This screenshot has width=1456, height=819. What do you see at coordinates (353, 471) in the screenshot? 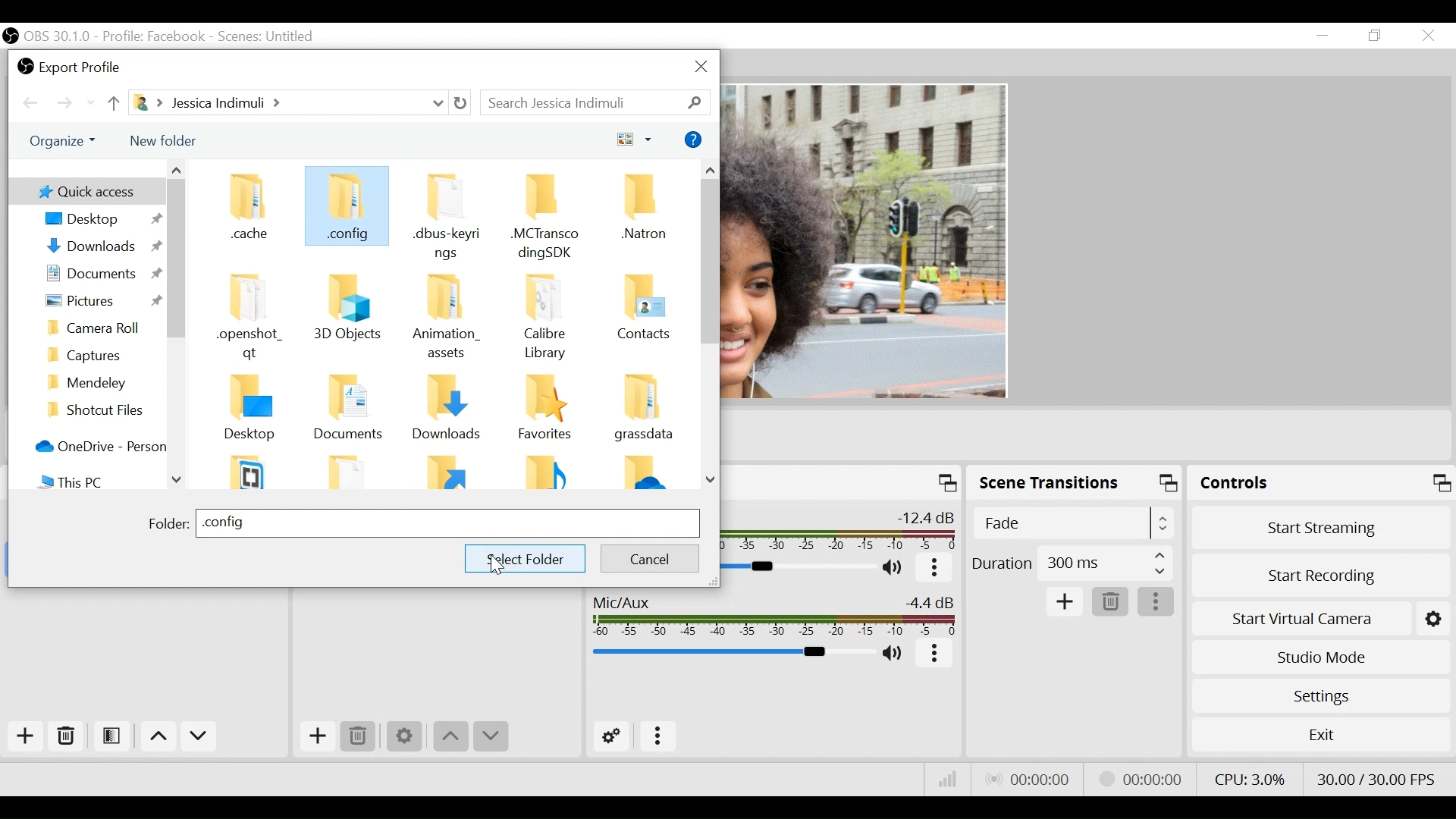
I see `Folder` at bounding box center [353, 471].